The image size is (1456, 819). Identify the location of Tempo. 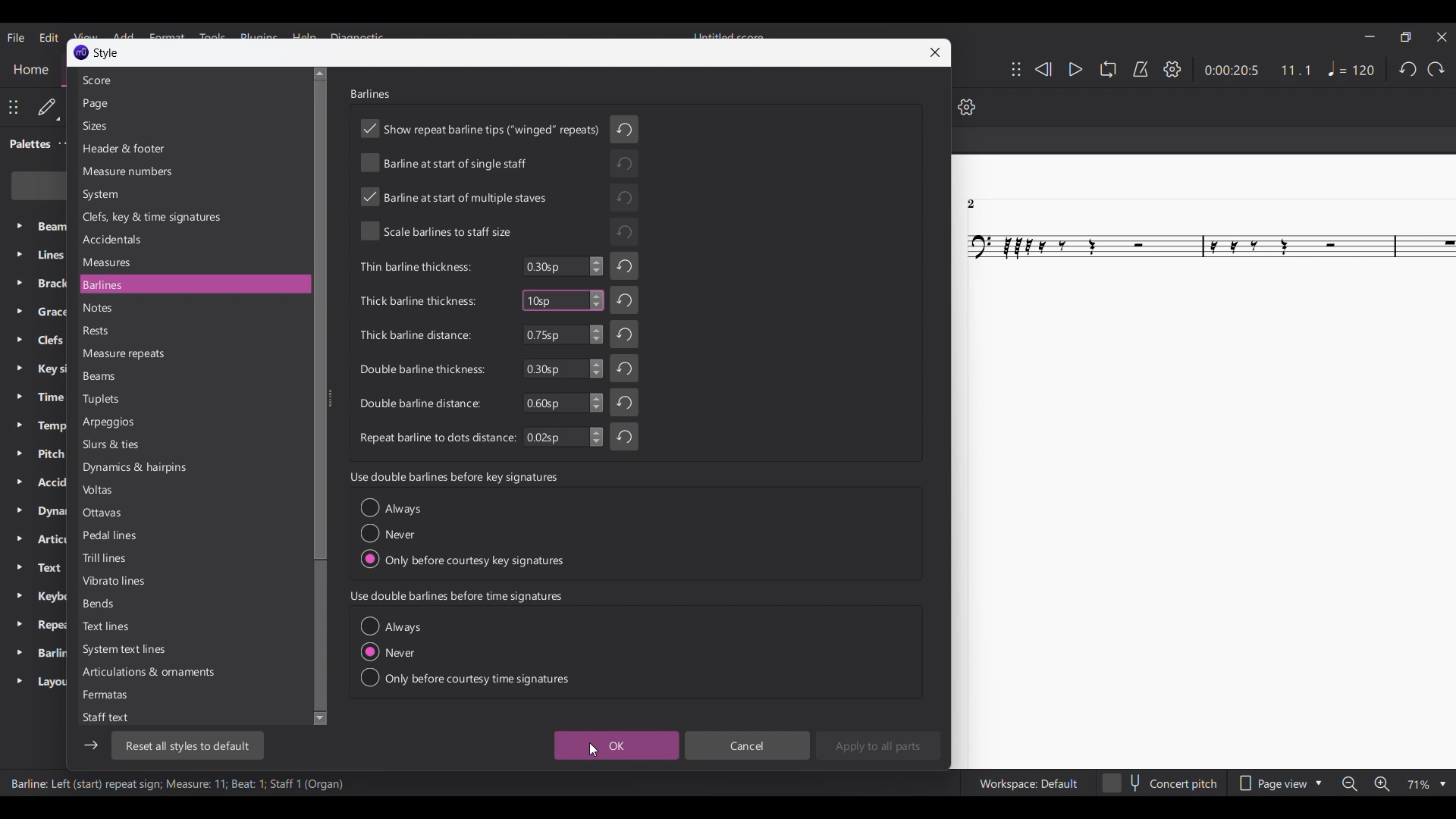
(1351, 68).